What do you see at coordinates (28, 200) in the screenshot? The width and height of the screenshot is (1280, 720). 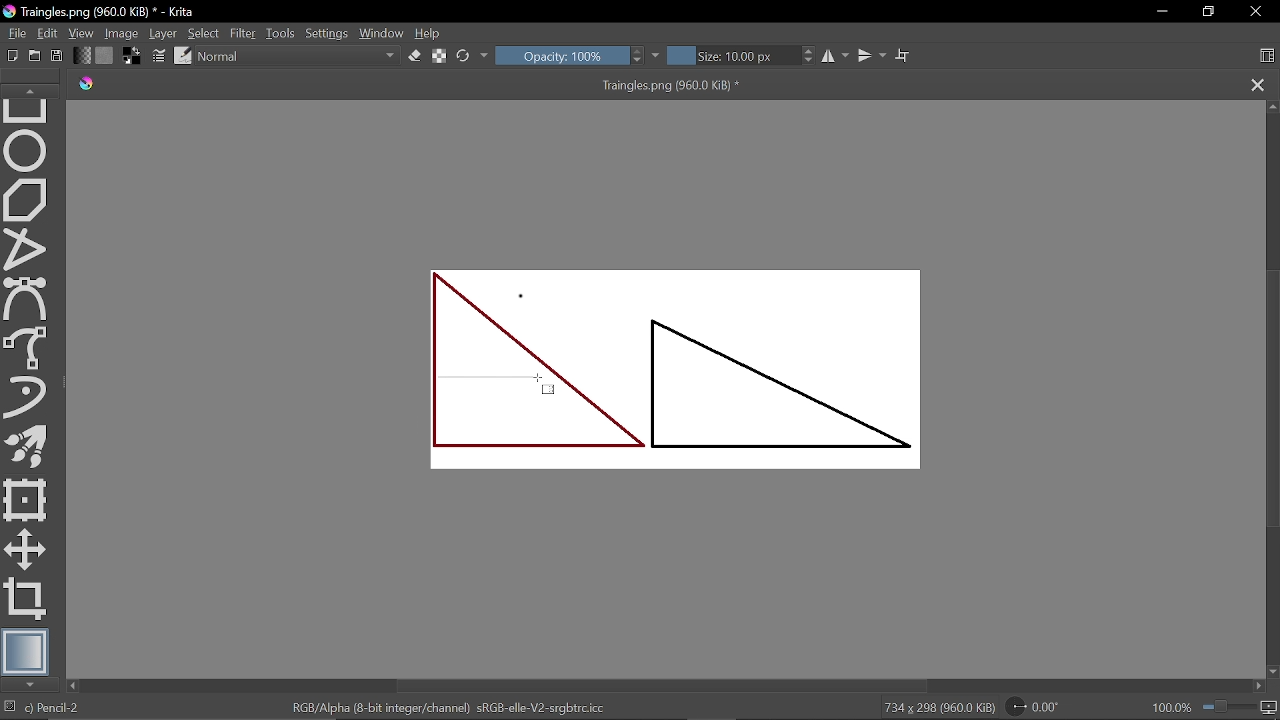 I see `Polygon tool` at bounding box center [28, 200].